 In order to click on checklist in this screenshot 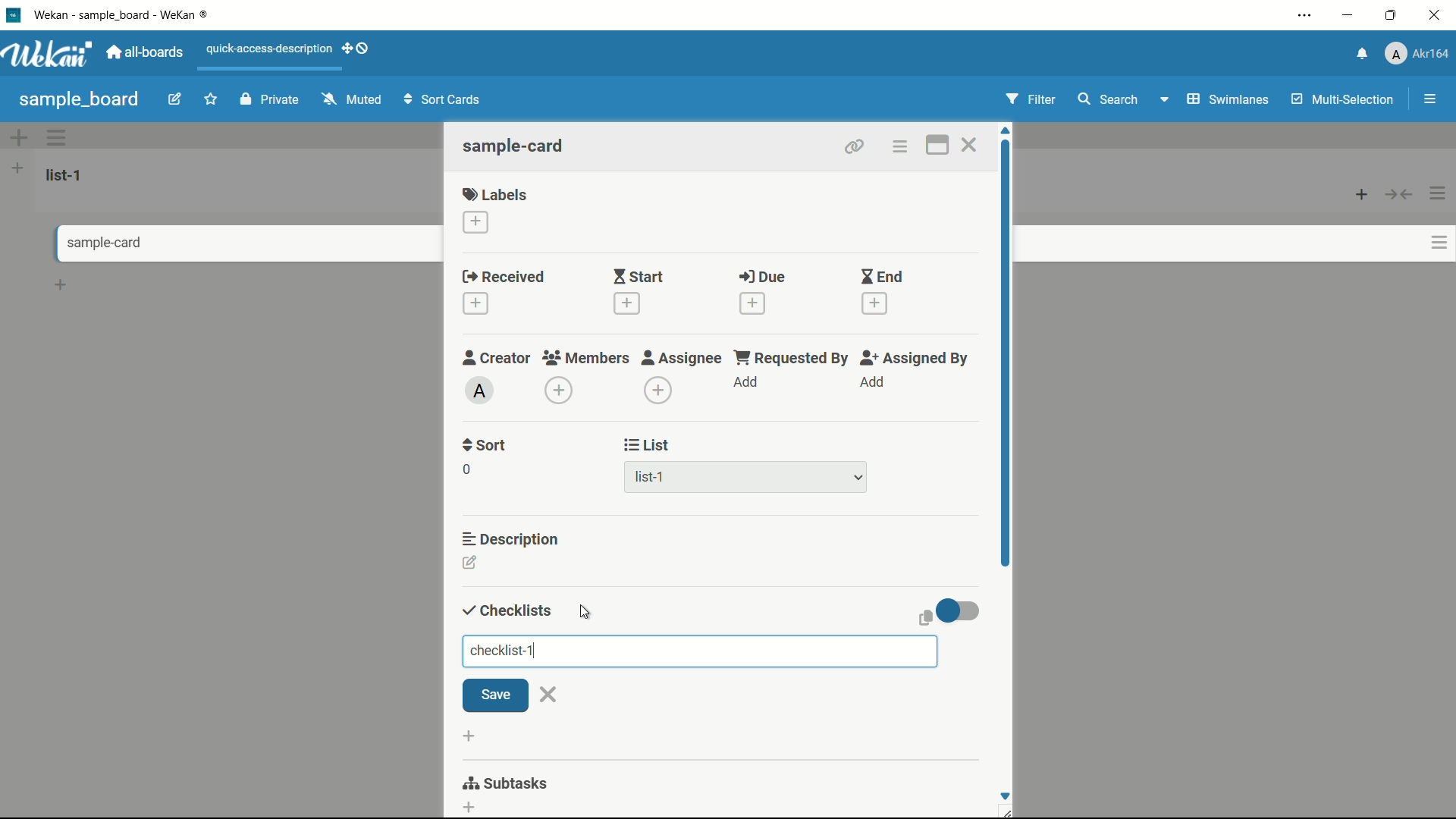, I will do `click(504, 611)`.